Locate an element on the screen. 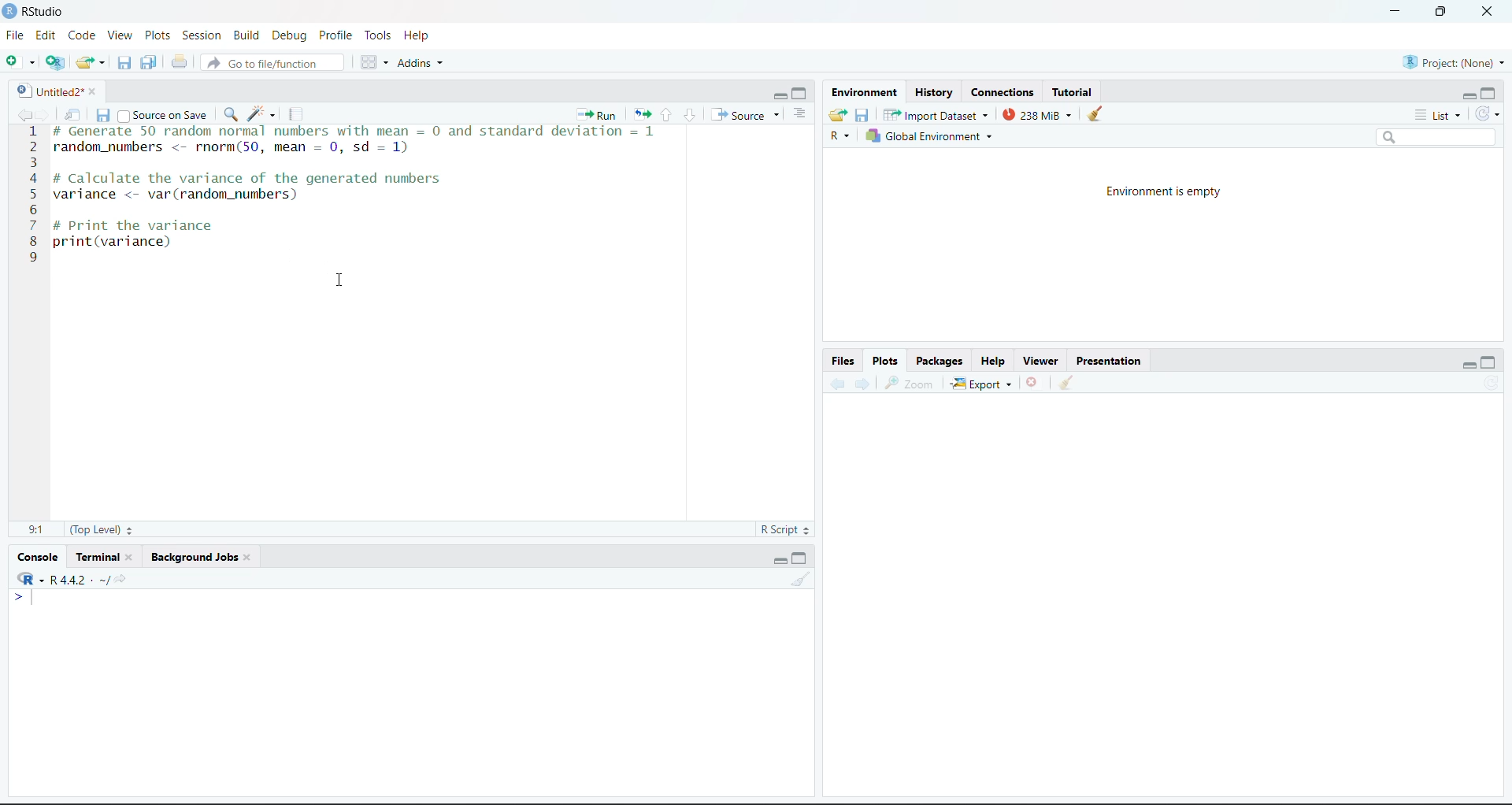 The height and width of the screenshot is (805, 1512). Edit is located at coordinates (46, 35).